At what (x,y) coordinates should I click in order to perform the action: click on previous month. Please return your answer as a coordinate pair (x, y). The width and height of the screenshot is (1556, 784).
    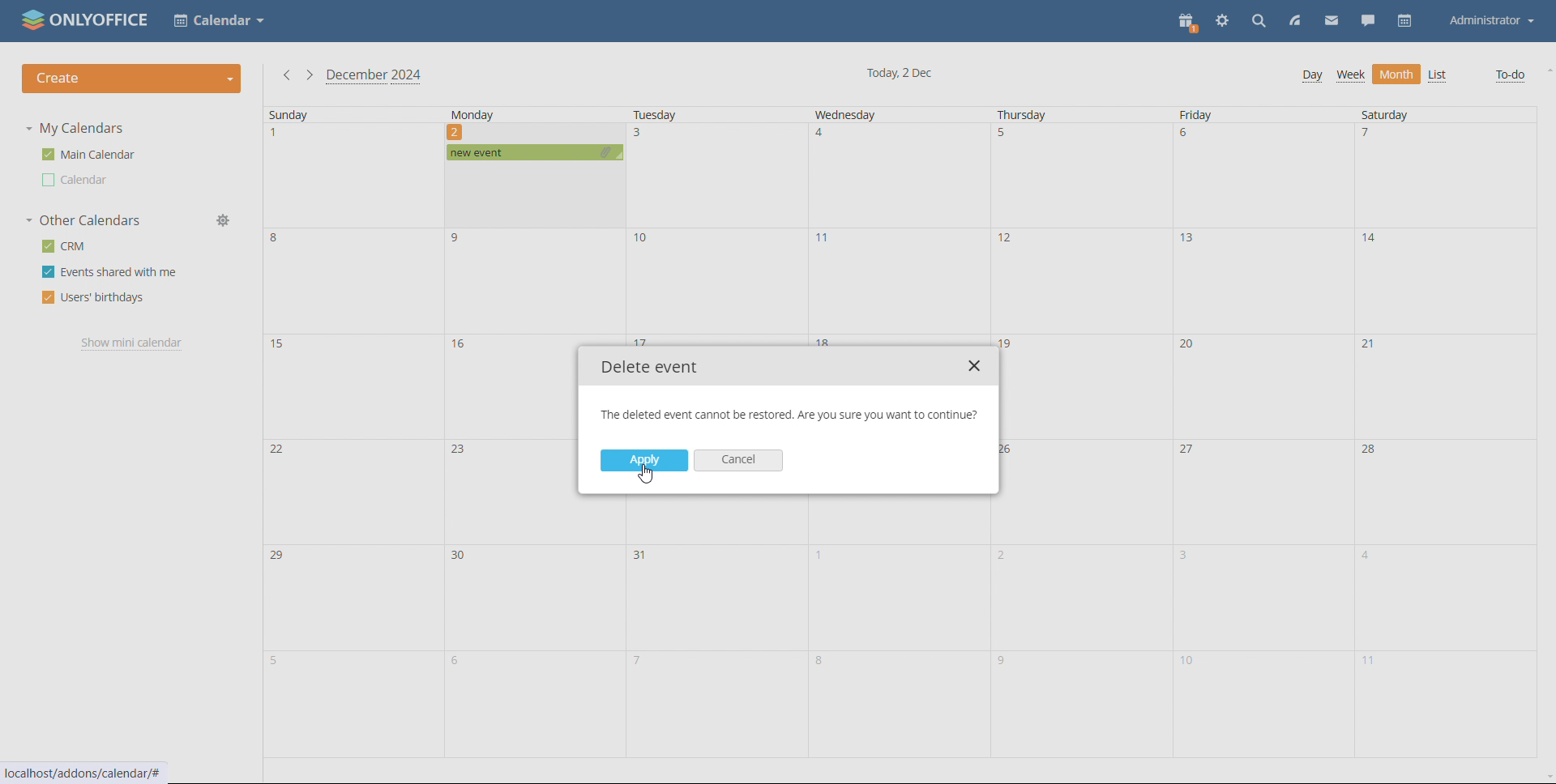
    Looking at the image, I should click on (287, 75).